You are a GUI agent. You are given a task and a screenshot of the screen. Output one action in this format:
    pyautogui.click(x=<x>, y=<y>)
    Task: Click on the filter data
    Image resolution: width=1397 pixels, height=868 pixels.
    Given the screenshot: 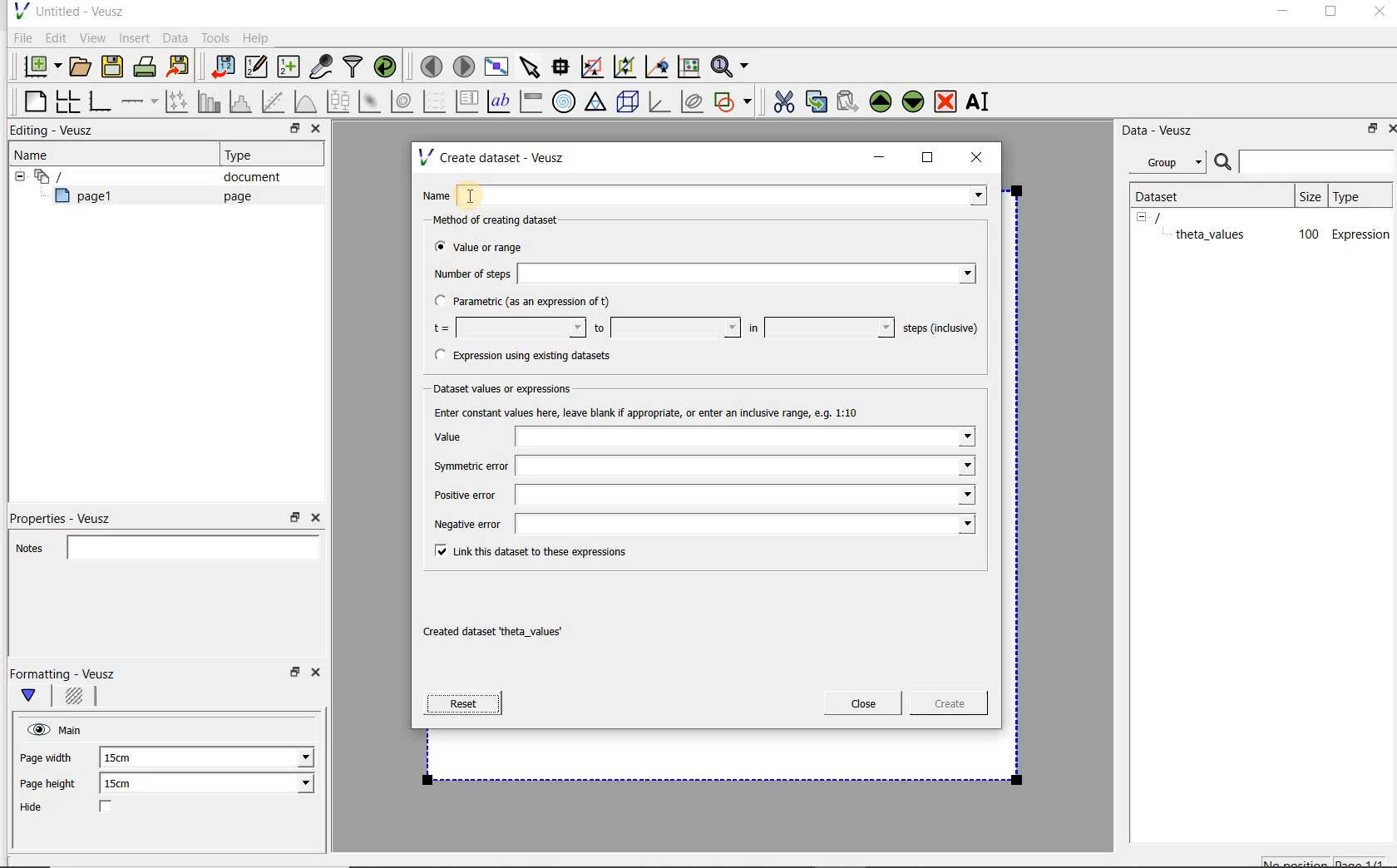 What is the action you would take?
    pyautogui.click(x=353, y=68)
    